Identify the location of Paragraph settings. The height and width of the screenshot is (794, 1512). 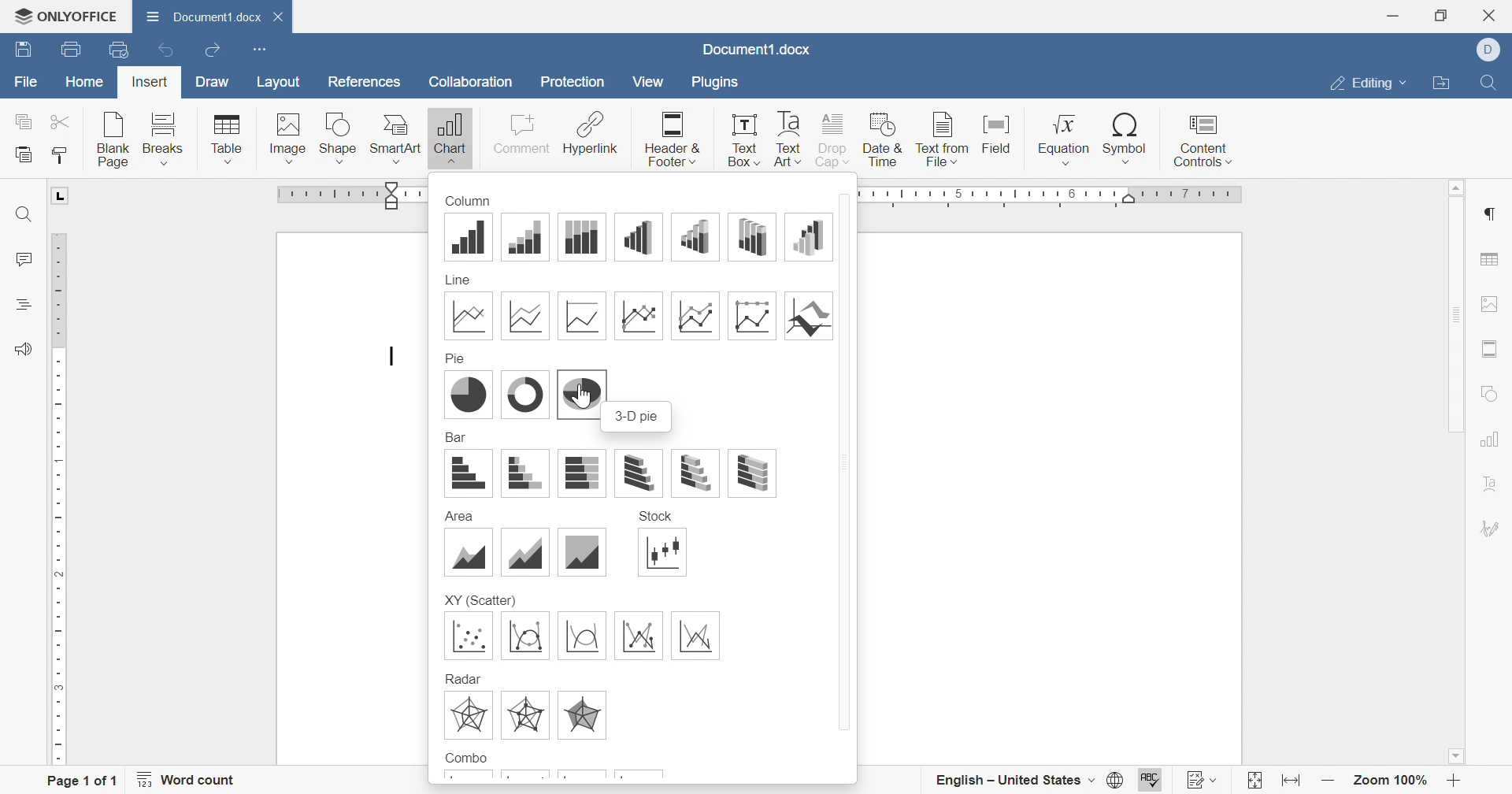
(1495, 214).